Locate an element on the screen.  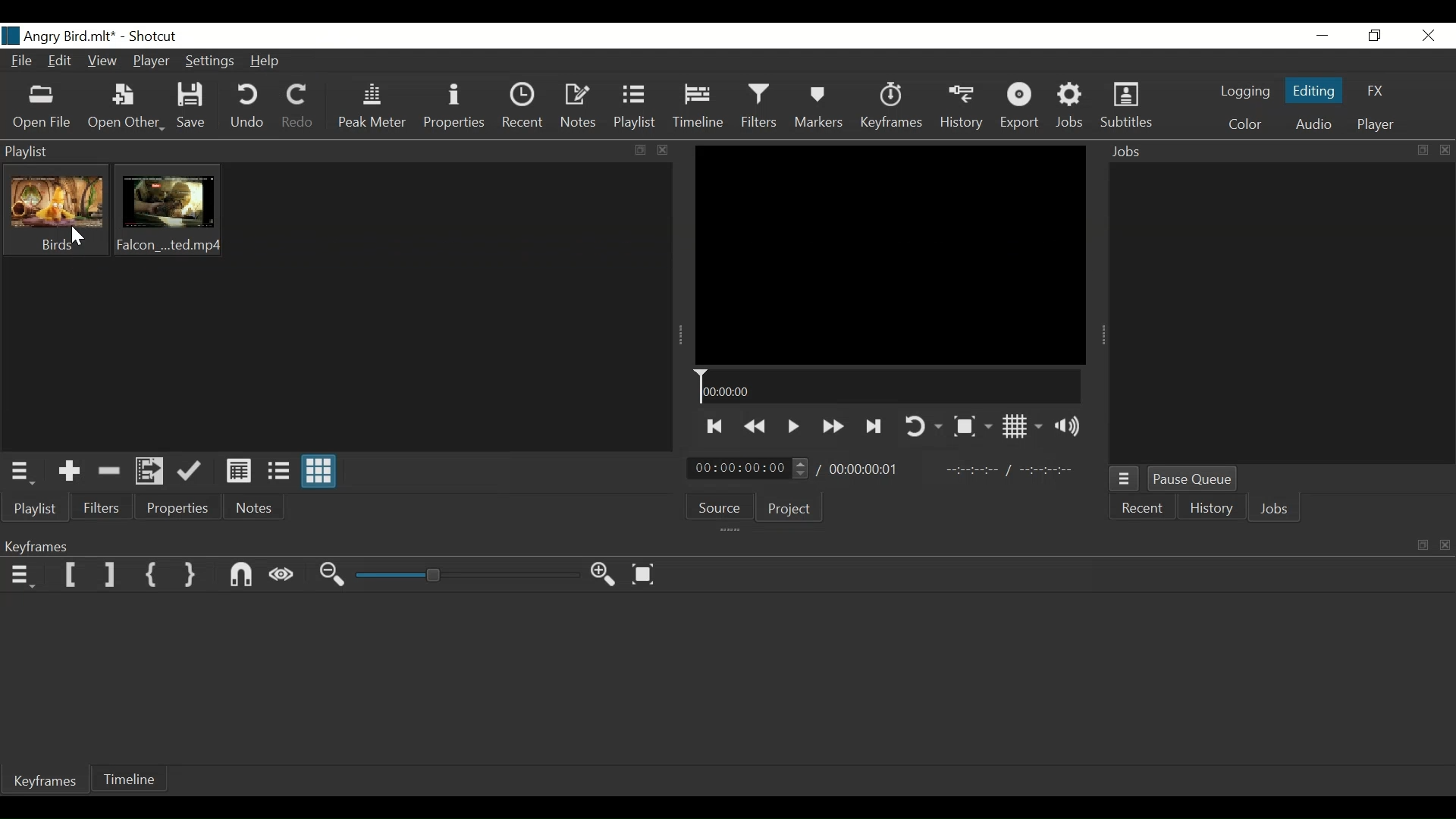
Toggle play or pause is located at coordinates (794, 426).